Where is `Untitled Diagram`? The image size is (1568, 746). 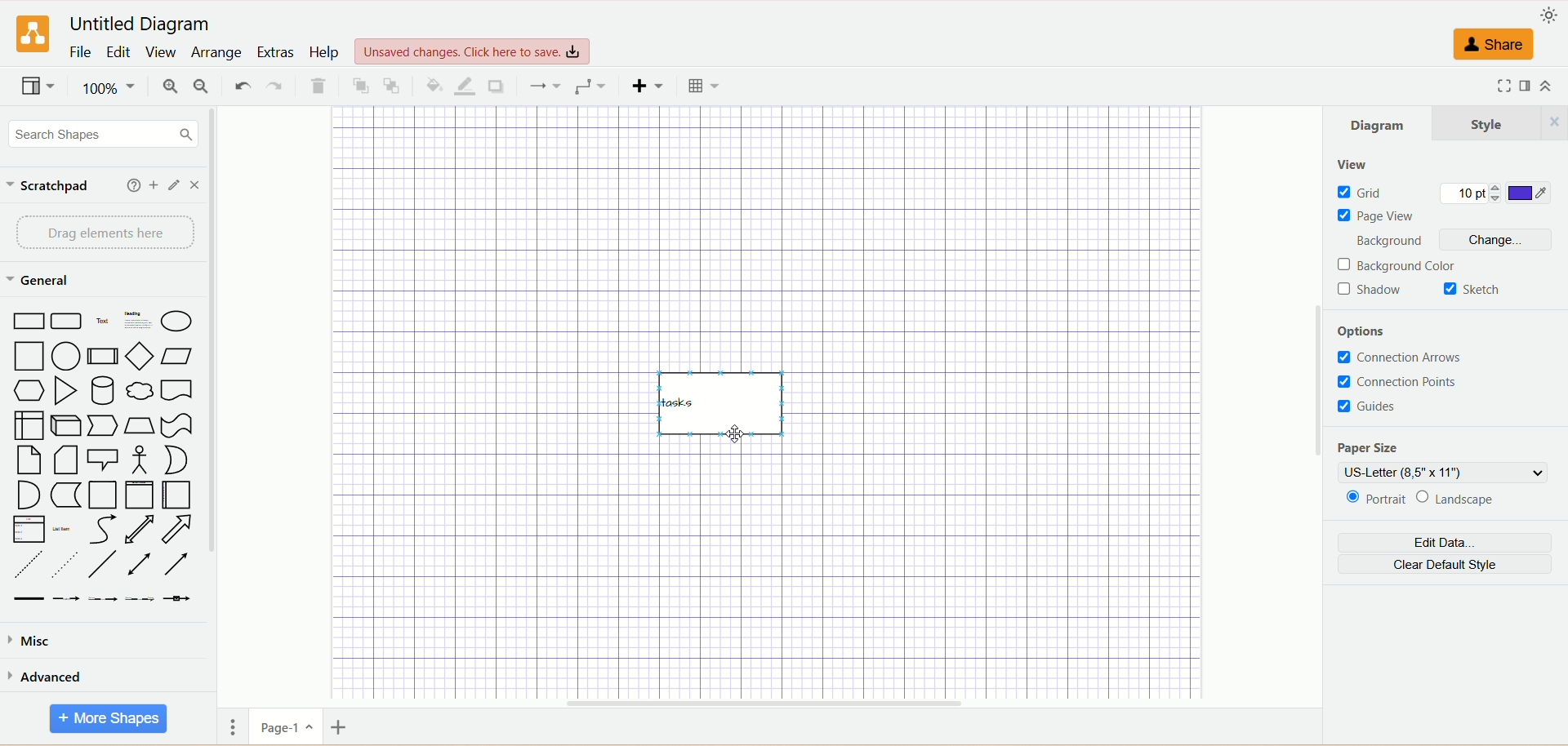 Untitled Diagram is located at coordinates (141, 26).